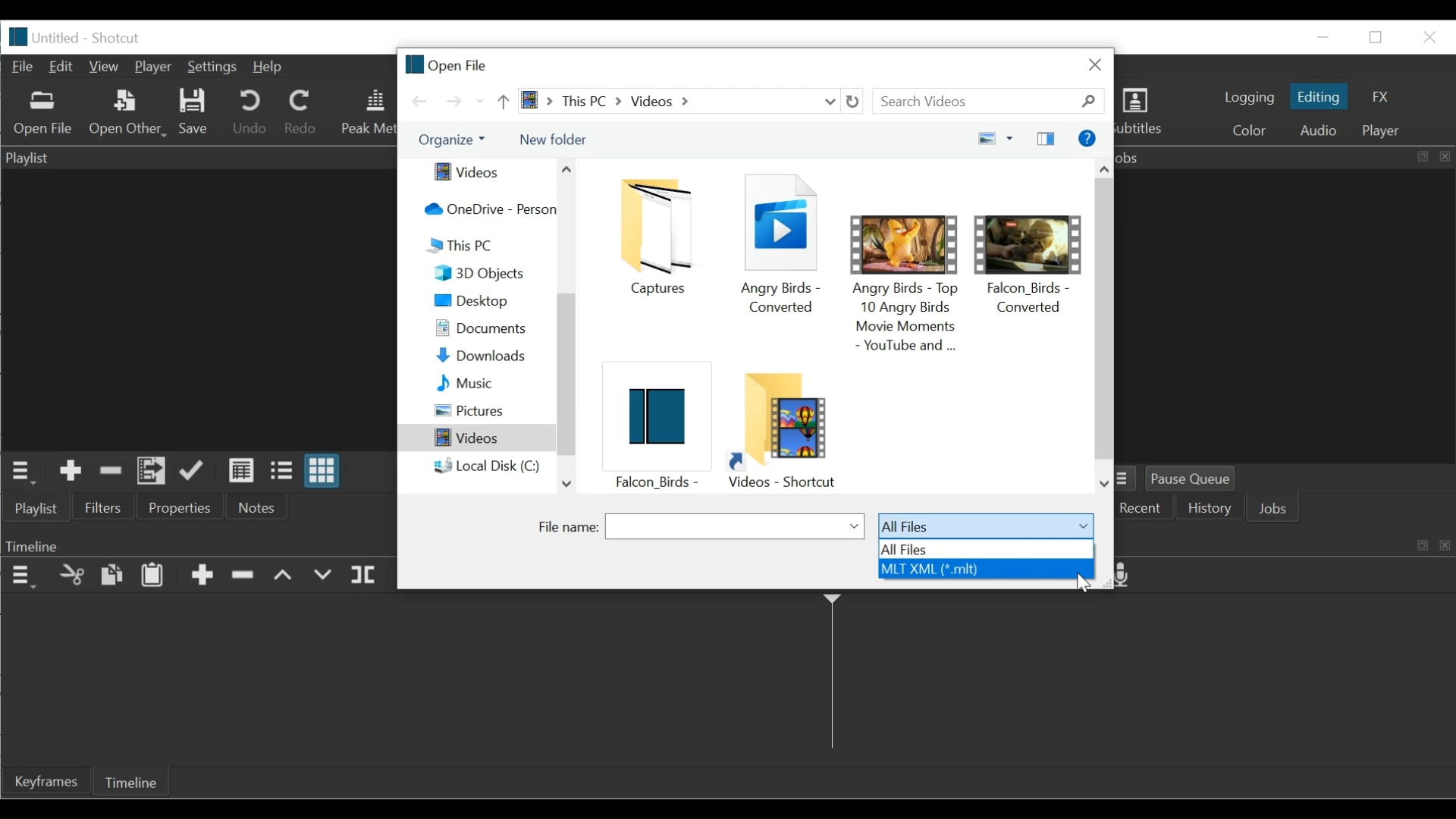 This screenshot has height=819, width=1456. I want to click on Peak Meter, so click(368, 113).